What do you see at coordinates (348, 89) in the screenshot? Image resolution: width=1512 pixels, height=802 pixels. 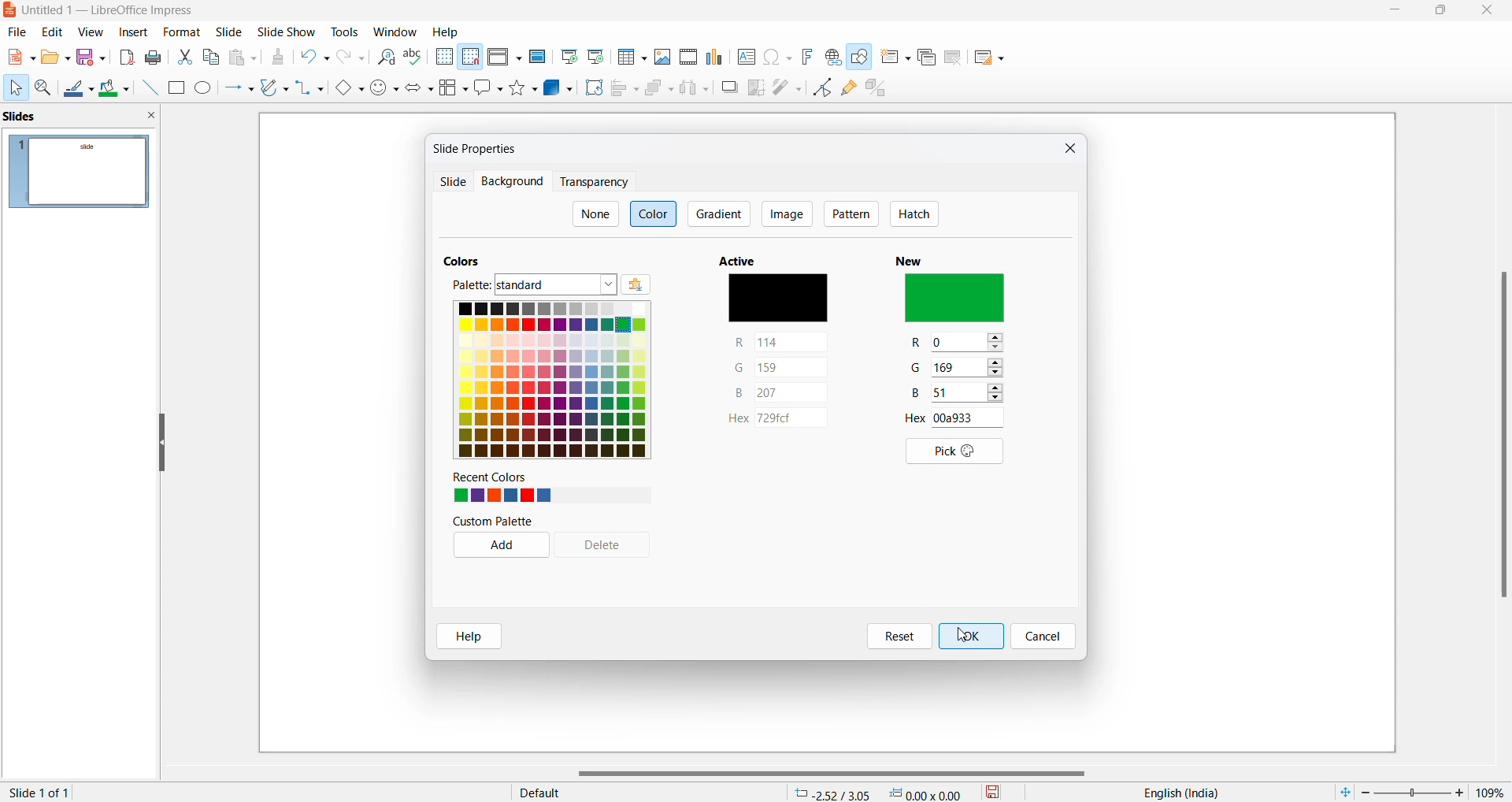 I see `basic shapes` at bounding box center [348, 89].